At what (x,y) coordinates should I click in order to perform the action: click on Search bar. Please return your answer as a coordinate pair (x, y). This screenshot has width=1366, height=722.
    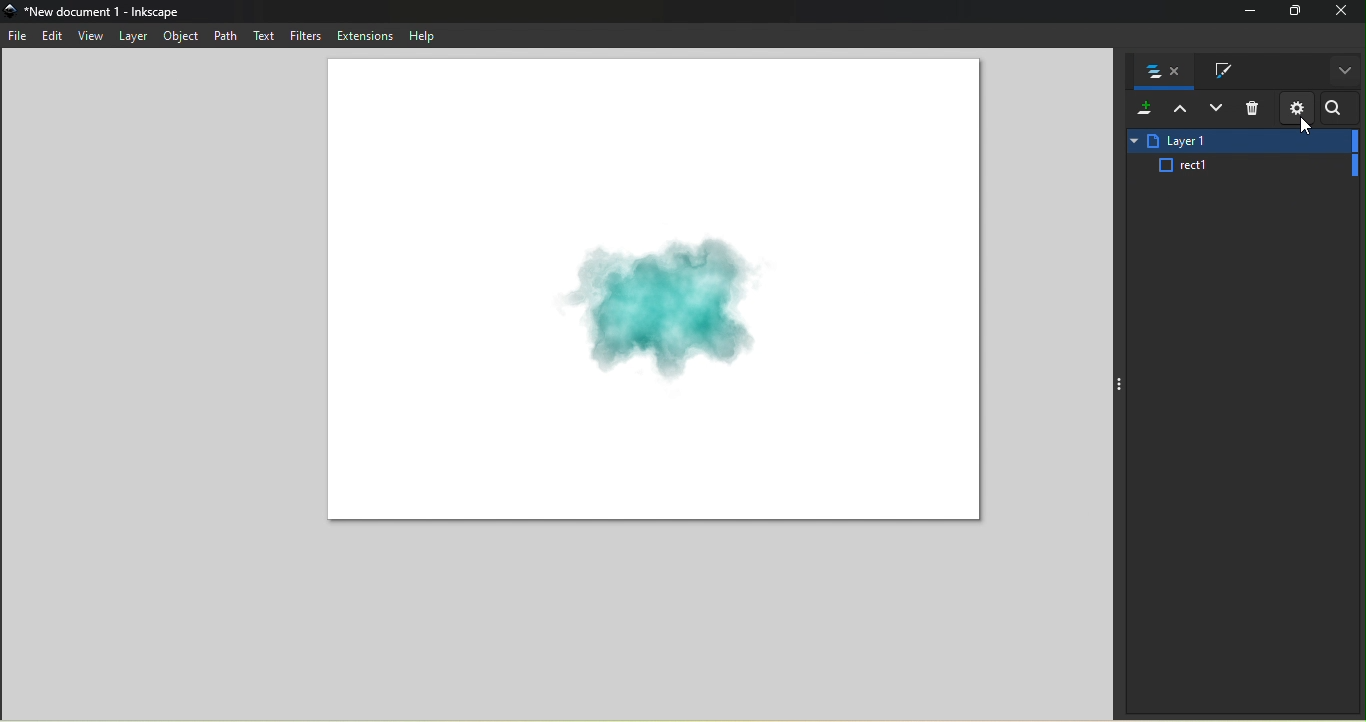
    Looking at the image, I should click on (1337, 110).